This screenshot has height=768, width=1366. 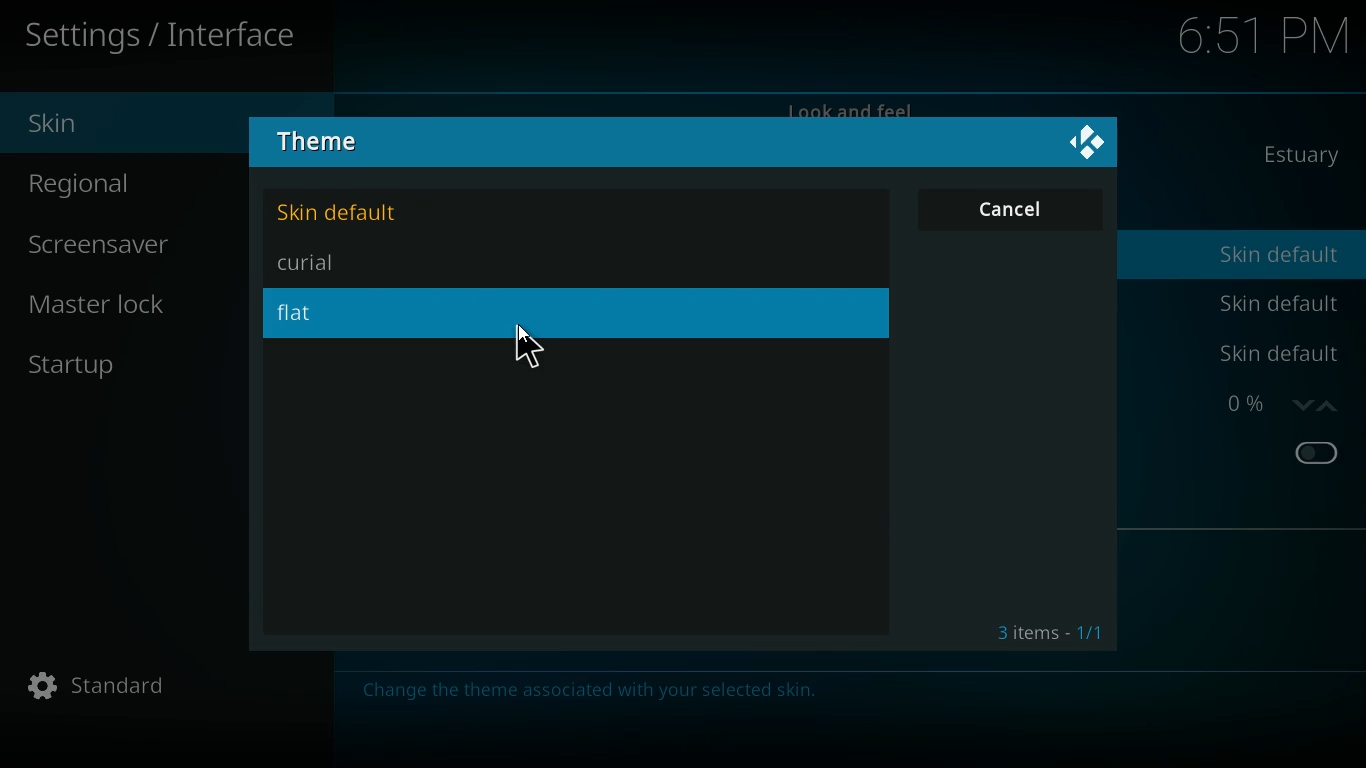 I want to click on skin default, so click(x=1284, y=256).